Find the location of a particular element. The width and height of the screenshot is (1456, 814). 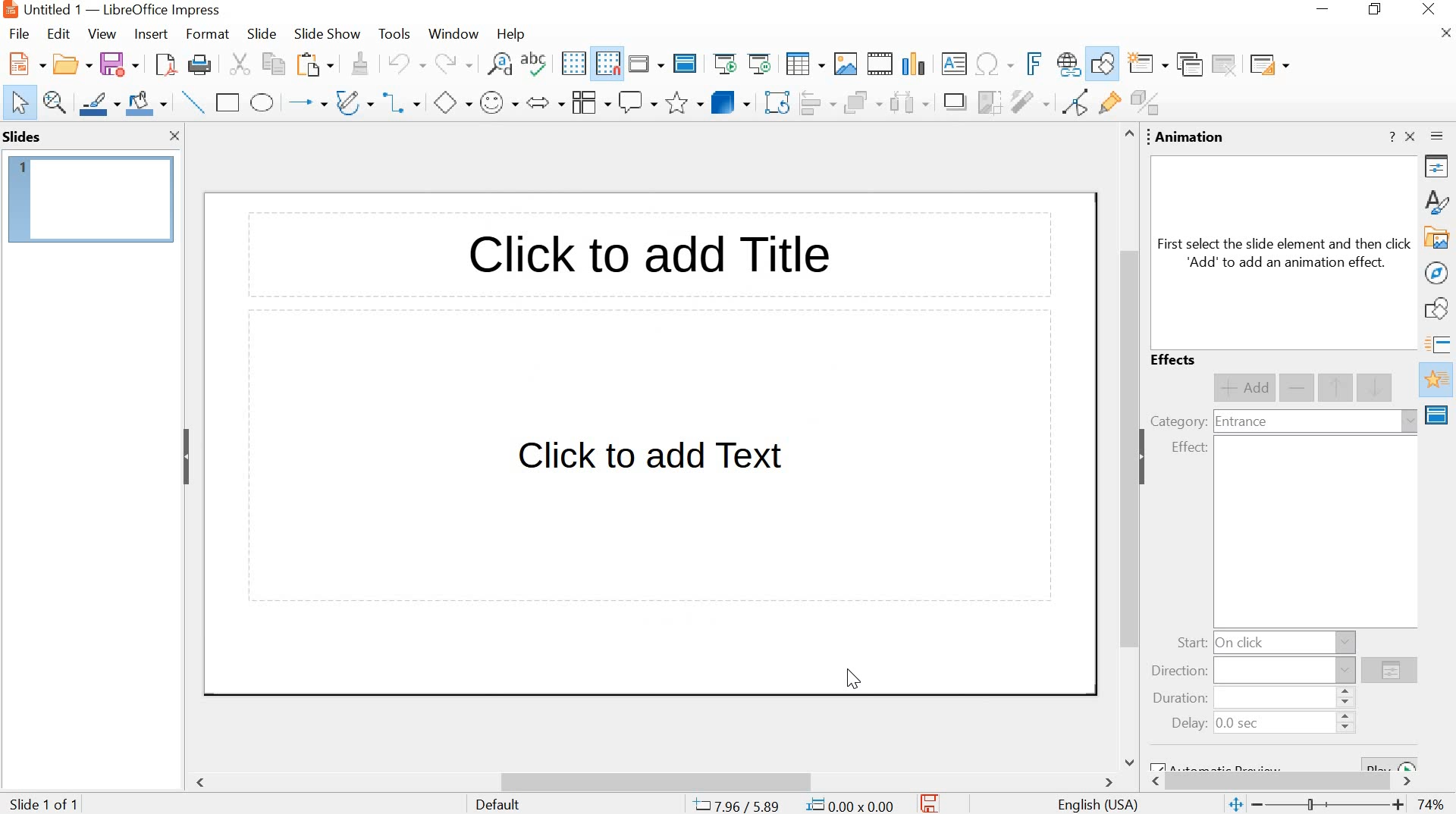

zoom and pan is located at coordinates (55, 102).